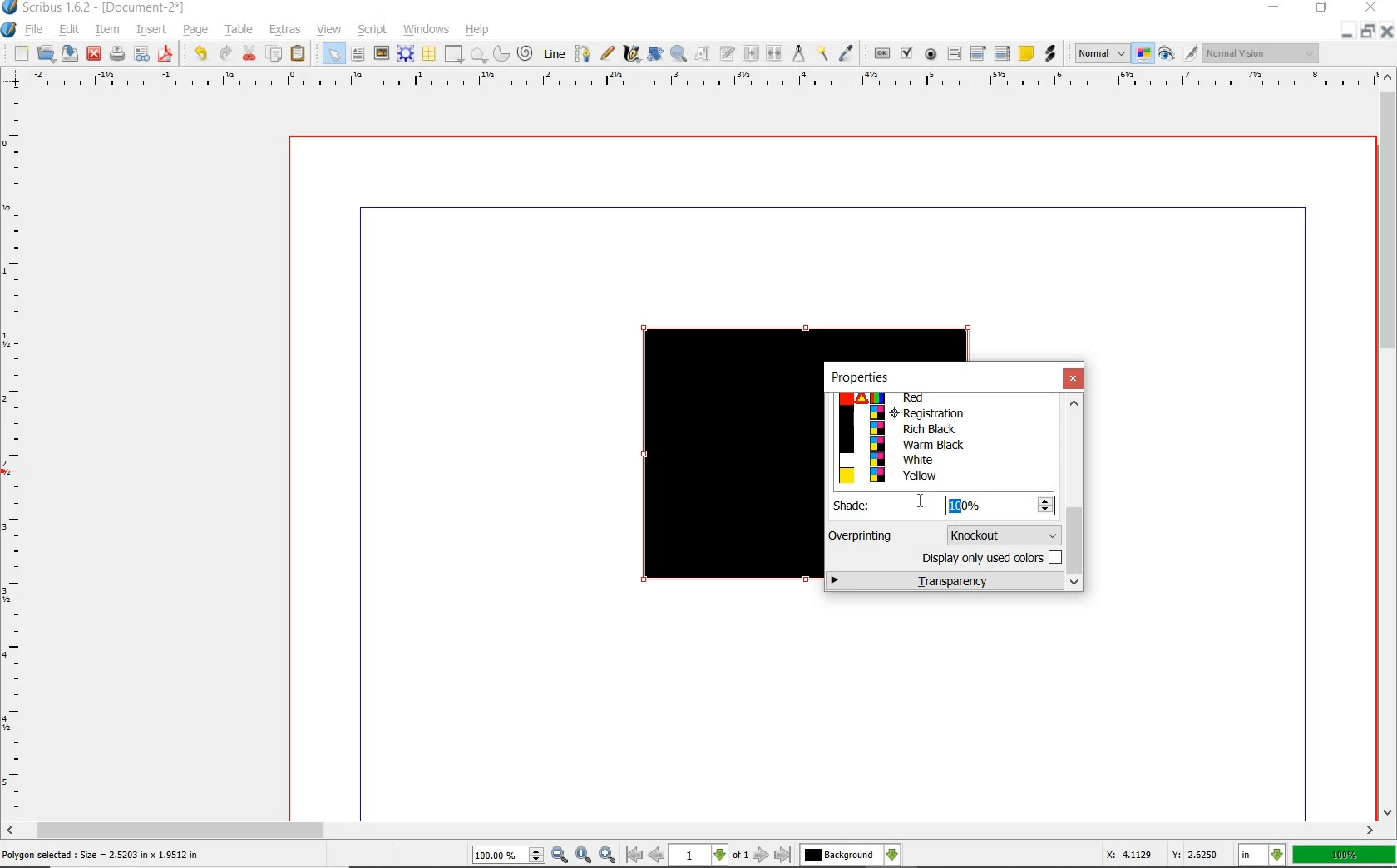  What do you see at coordinates (286, 29) in the screenshot?
I see `extras` at bounding box center [286, 29].